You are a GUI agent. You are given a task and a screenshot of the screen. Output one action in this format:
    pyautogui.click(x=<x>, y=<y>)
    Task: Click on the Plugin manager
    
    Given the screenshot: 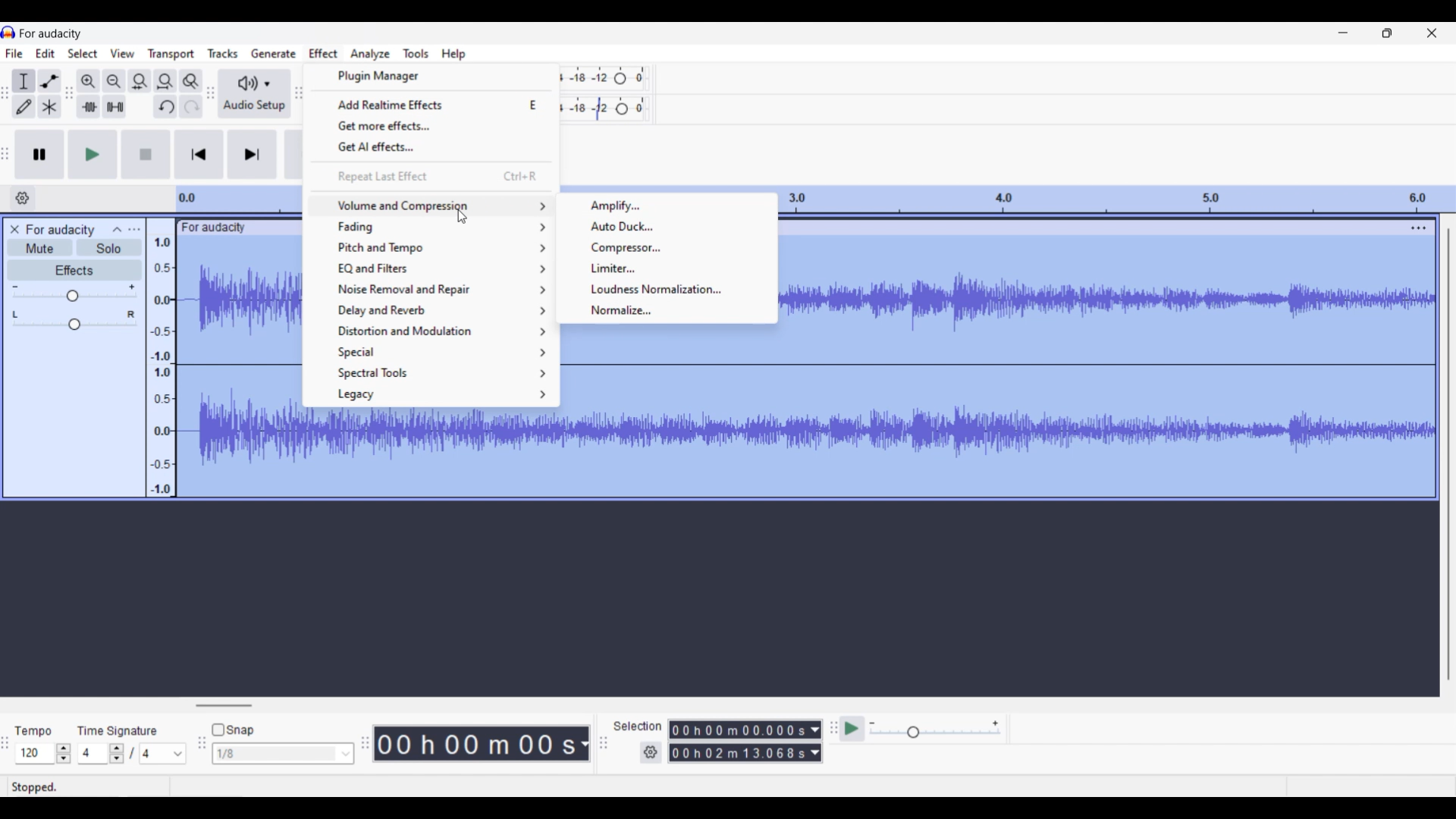 What is the action you would take?
    pyautogui.click(x=432, y=76)
    